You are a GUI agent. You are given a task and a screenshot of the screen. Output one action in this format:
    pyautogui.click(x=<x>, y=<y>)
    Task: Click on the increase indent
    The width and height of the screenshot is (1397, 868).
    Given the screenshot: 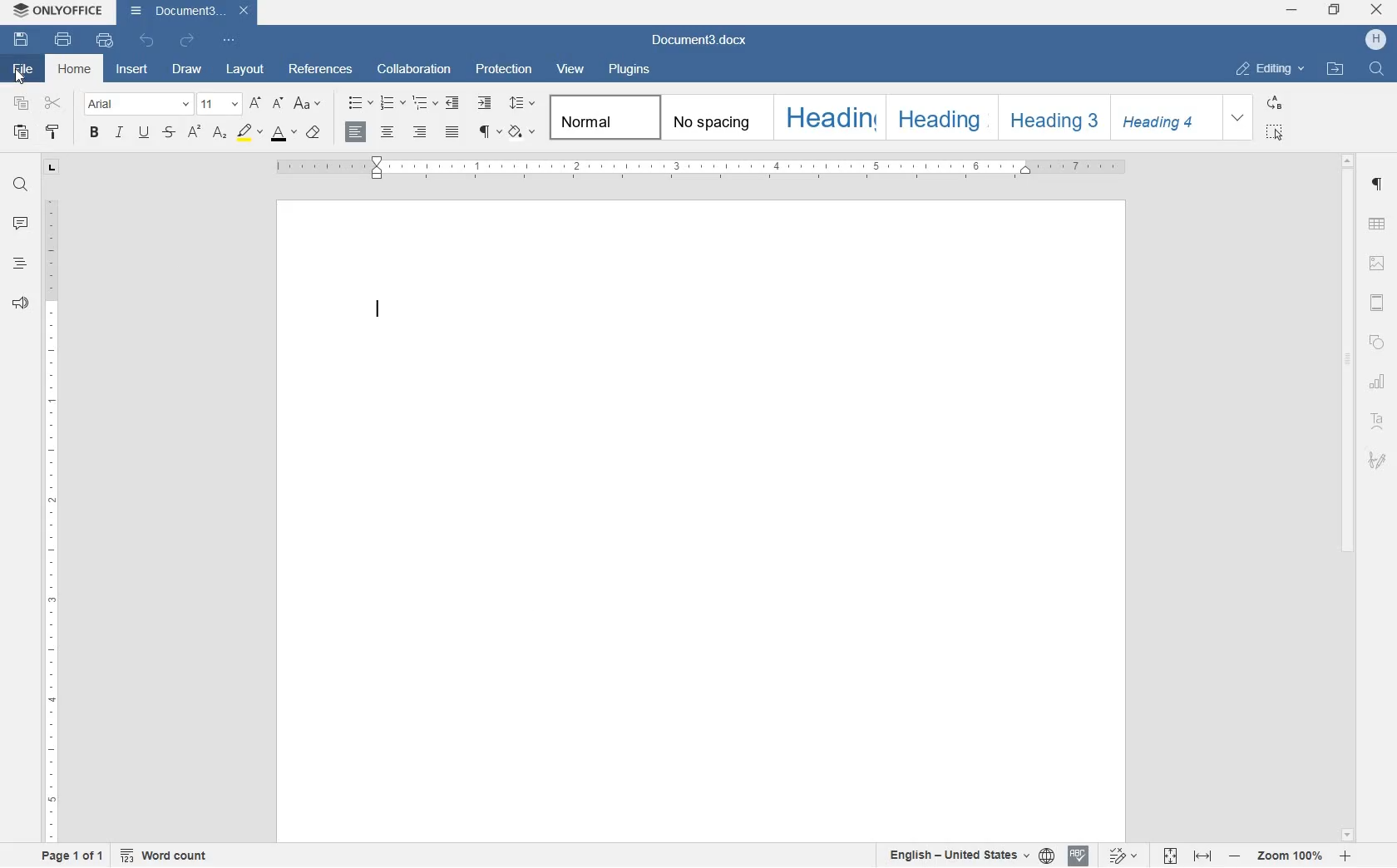 What is the action you would take?
    pyautogui.click(x=484, y=104)
    